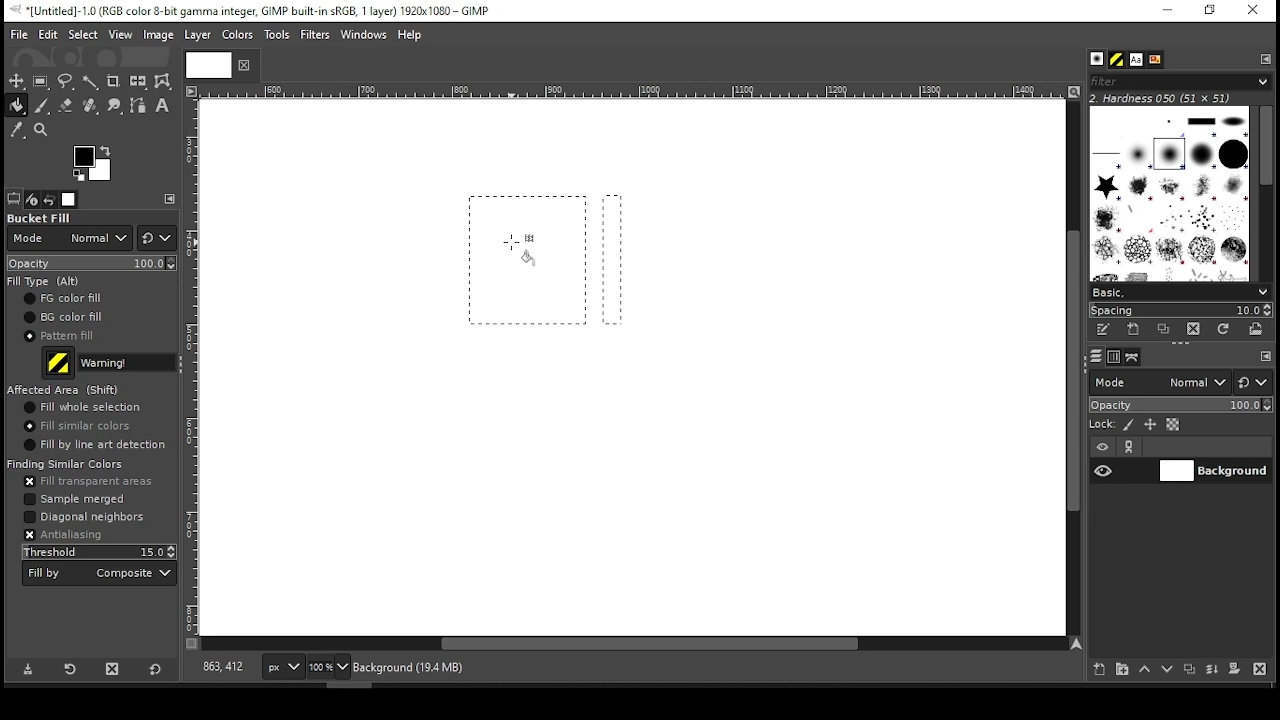  I want to click on paths tool, so click(139, 107).